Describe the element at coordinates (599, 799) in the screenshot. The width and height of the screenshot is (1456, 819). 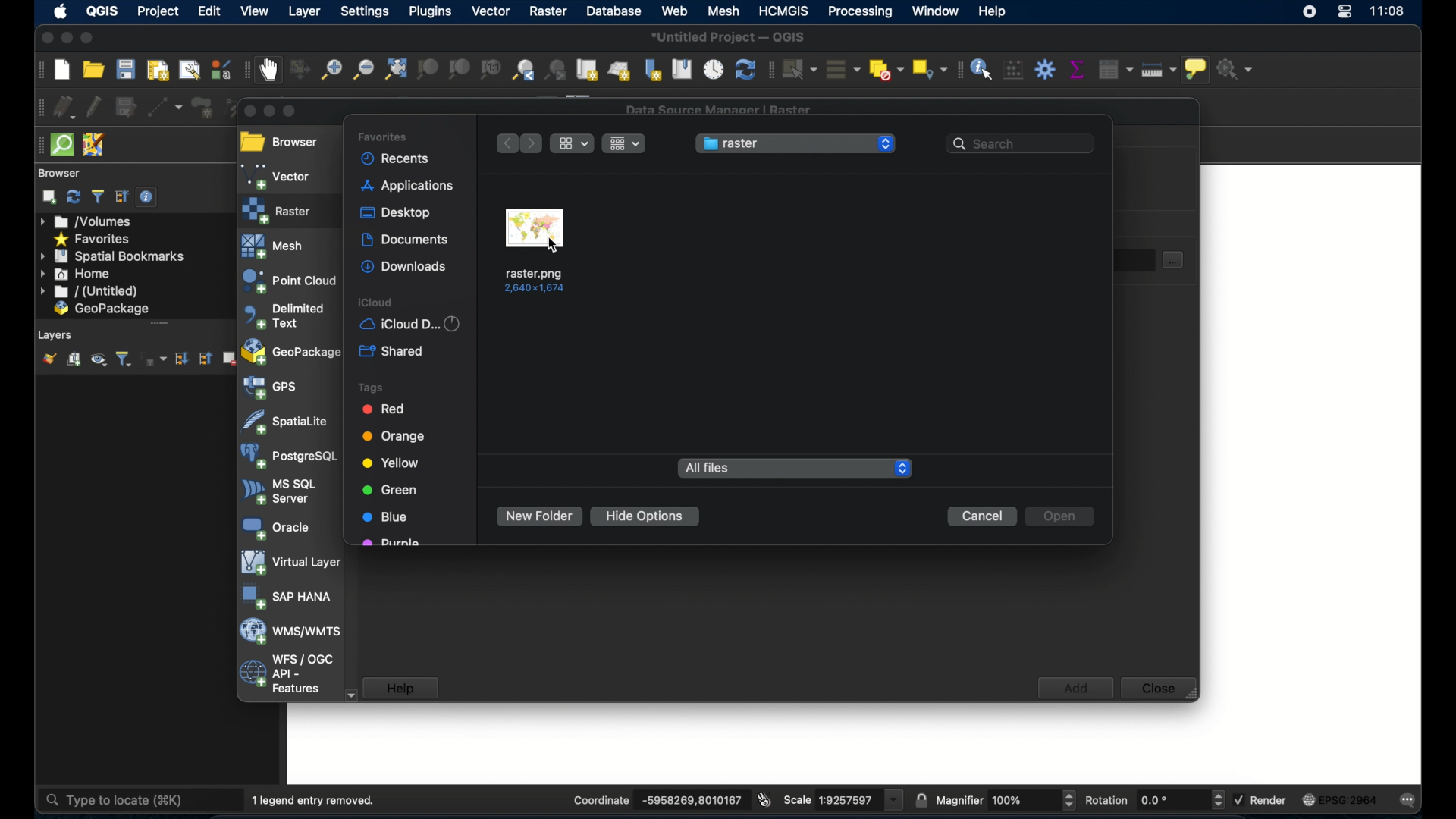
I see `coordinate` at that location.